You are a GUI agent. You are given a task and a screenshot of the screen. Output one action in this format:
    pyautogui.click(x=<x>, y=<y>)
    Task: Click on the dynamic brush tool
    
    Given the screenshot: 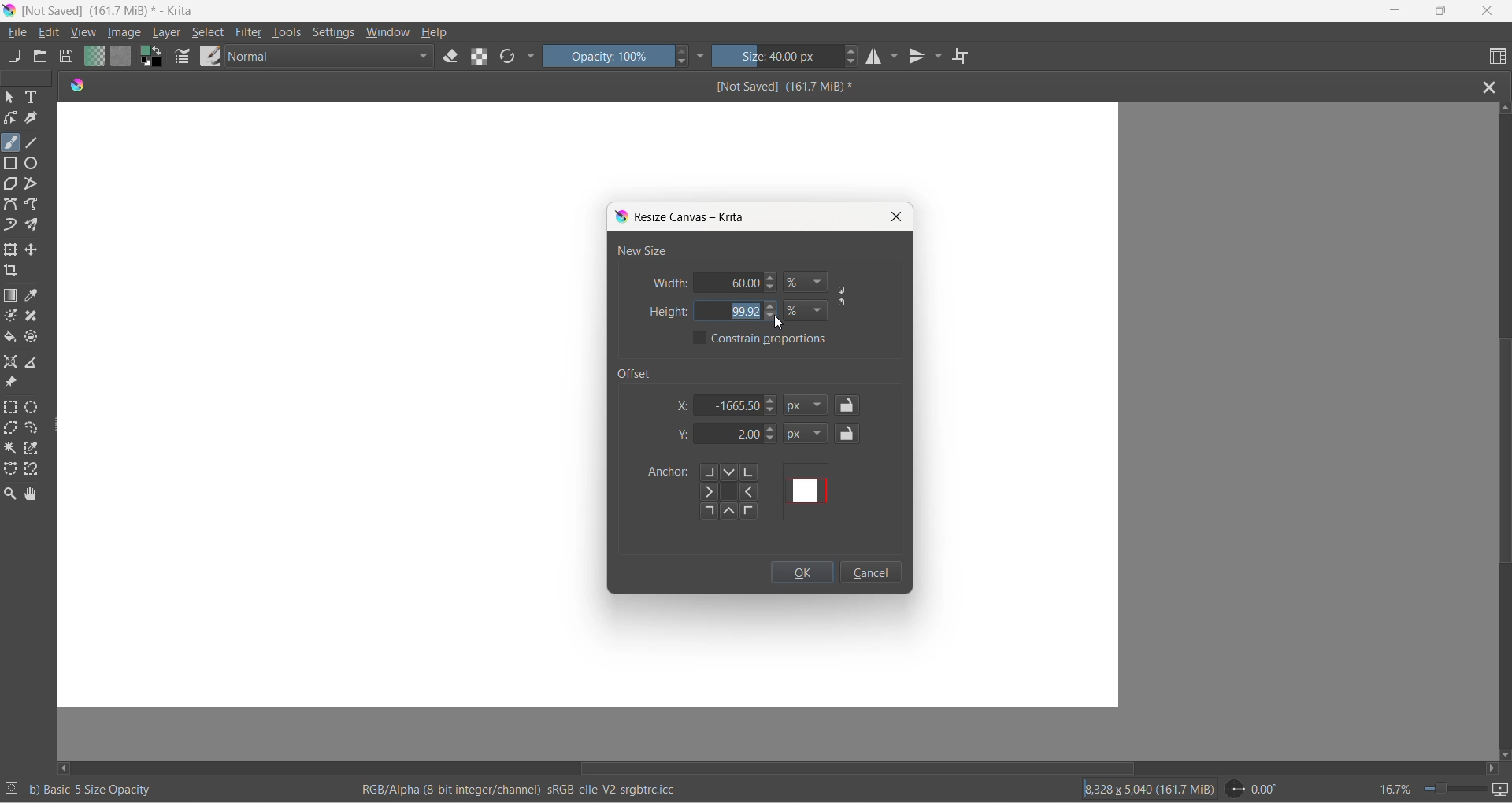 What is the action you would take?
    pyautogui.click(x=12, y=226)
    